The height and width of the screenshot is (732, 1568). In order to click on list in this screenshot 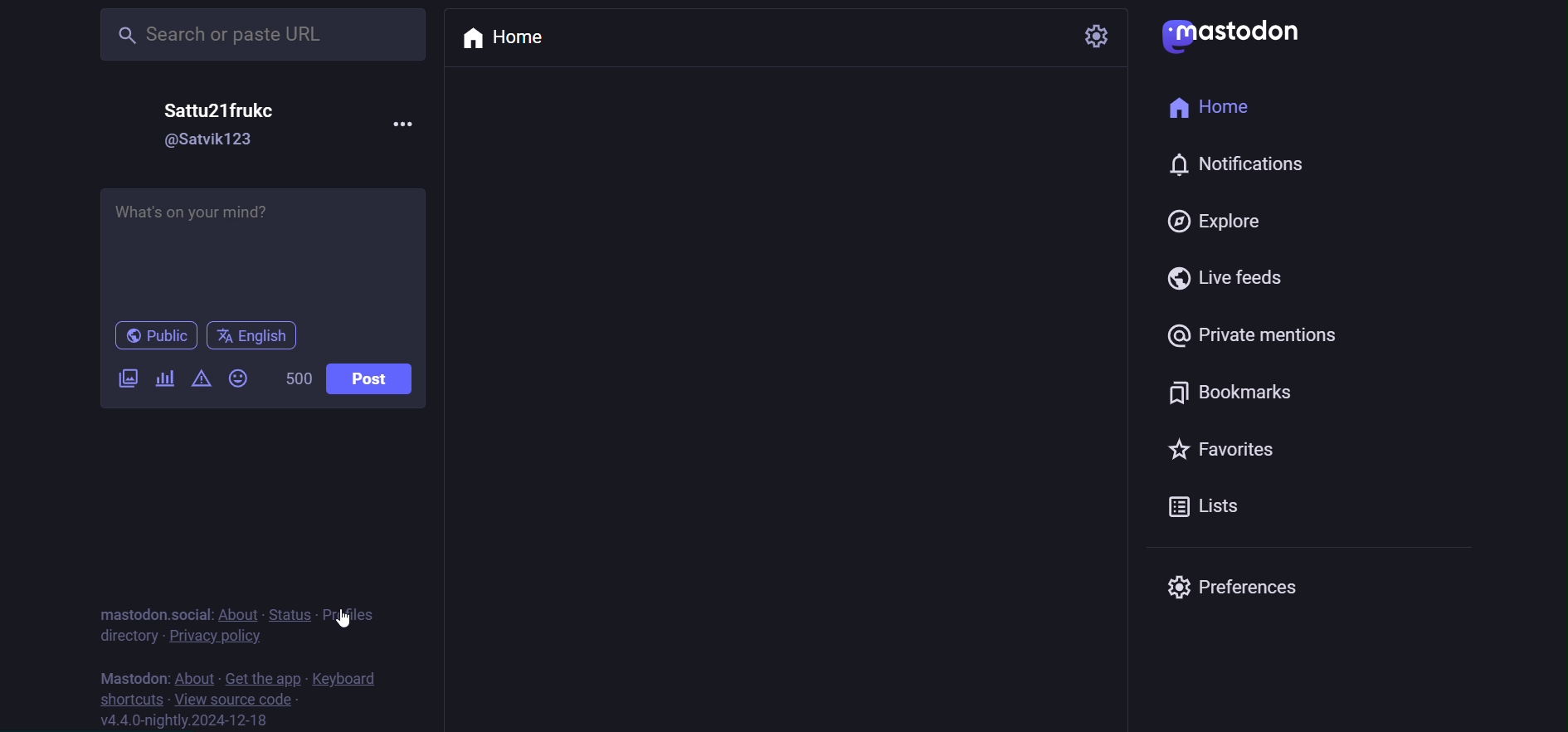, I will do `click(1219, 504)`.